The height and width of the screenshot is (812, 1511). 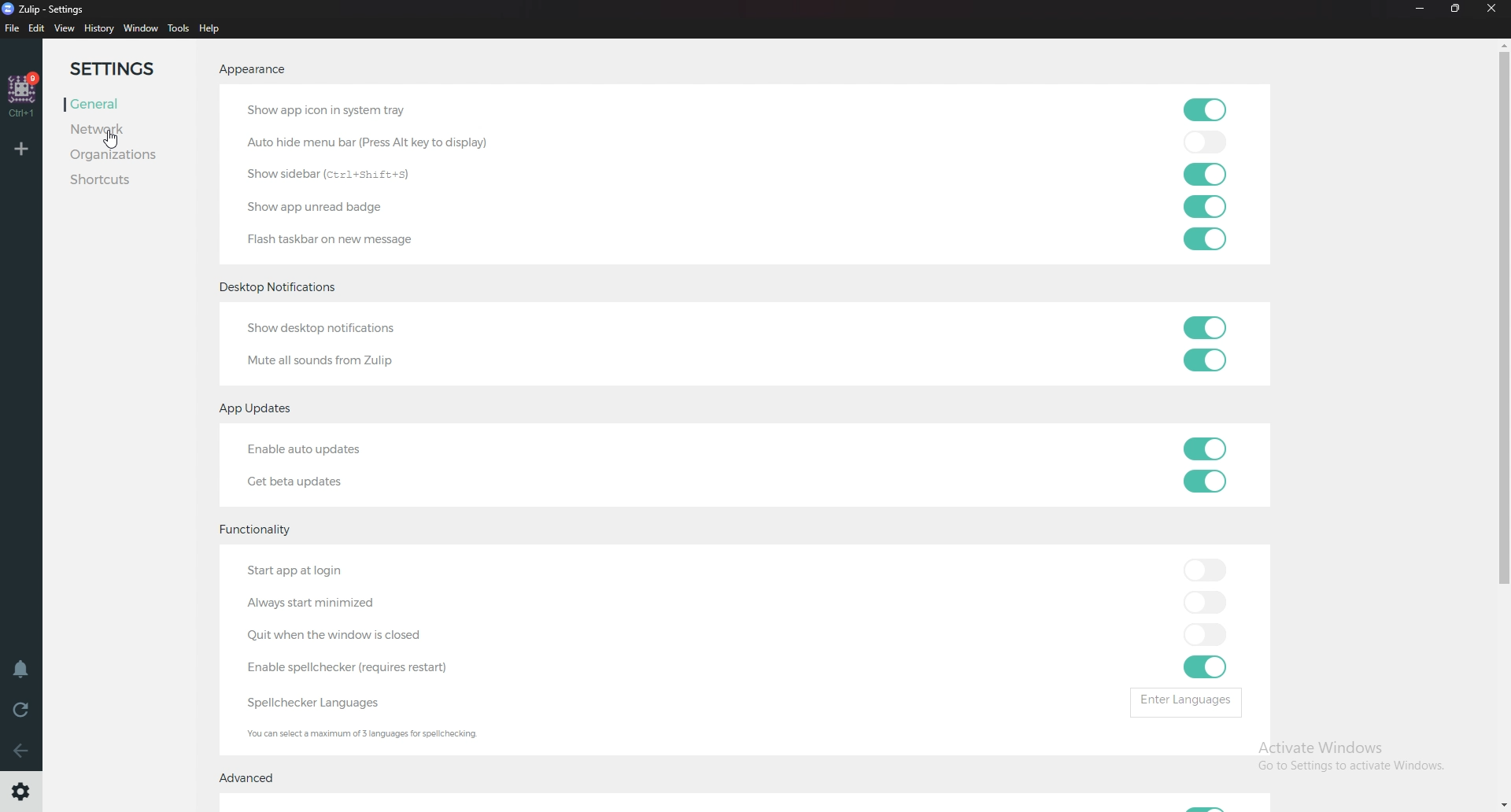 What do you see at coordinates (1185, 698) in the screenshot?
I see `Enter languages` at bounding box center [1185, 698].